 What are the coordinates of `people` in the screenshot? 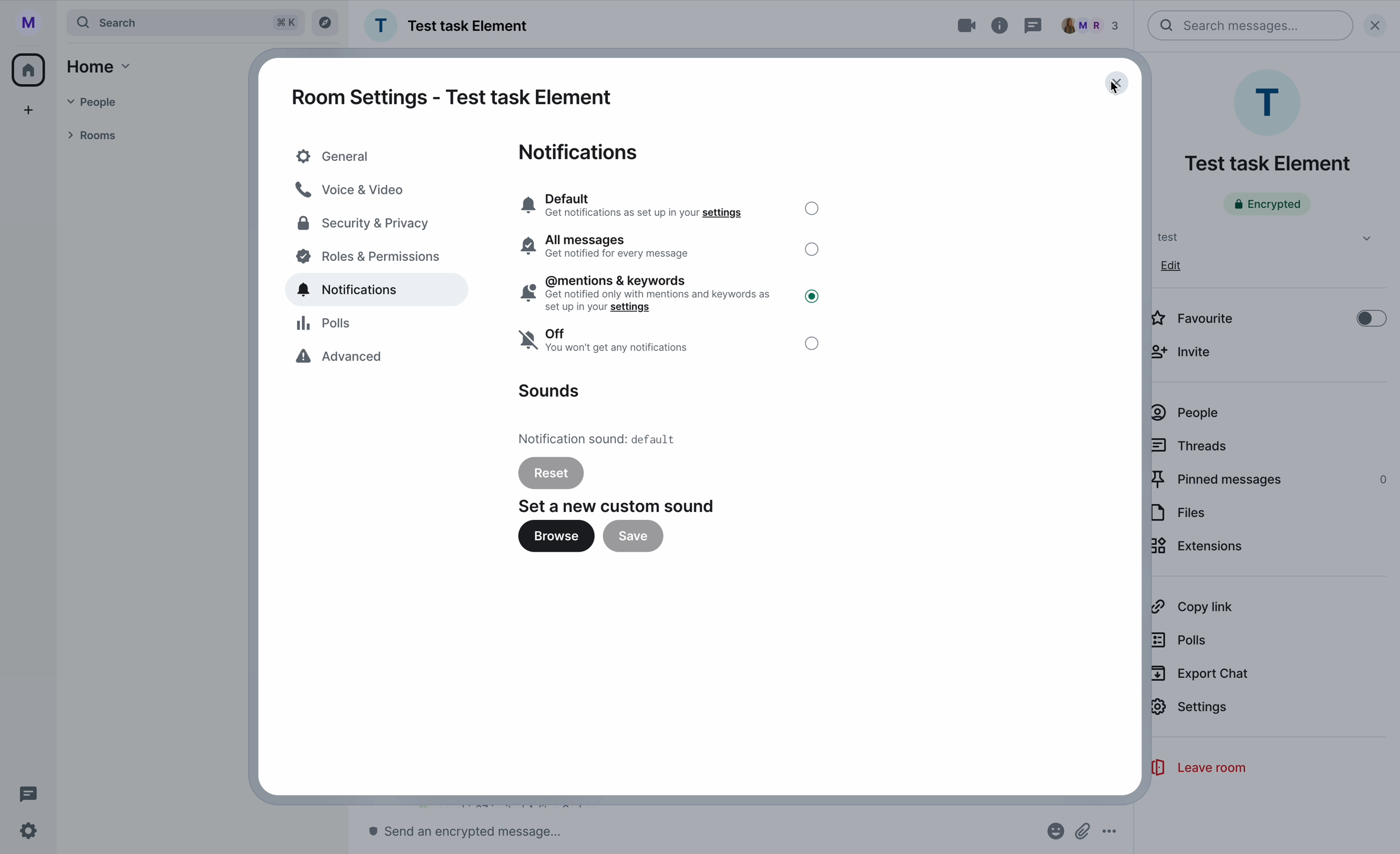 It's located at (1186, 413).